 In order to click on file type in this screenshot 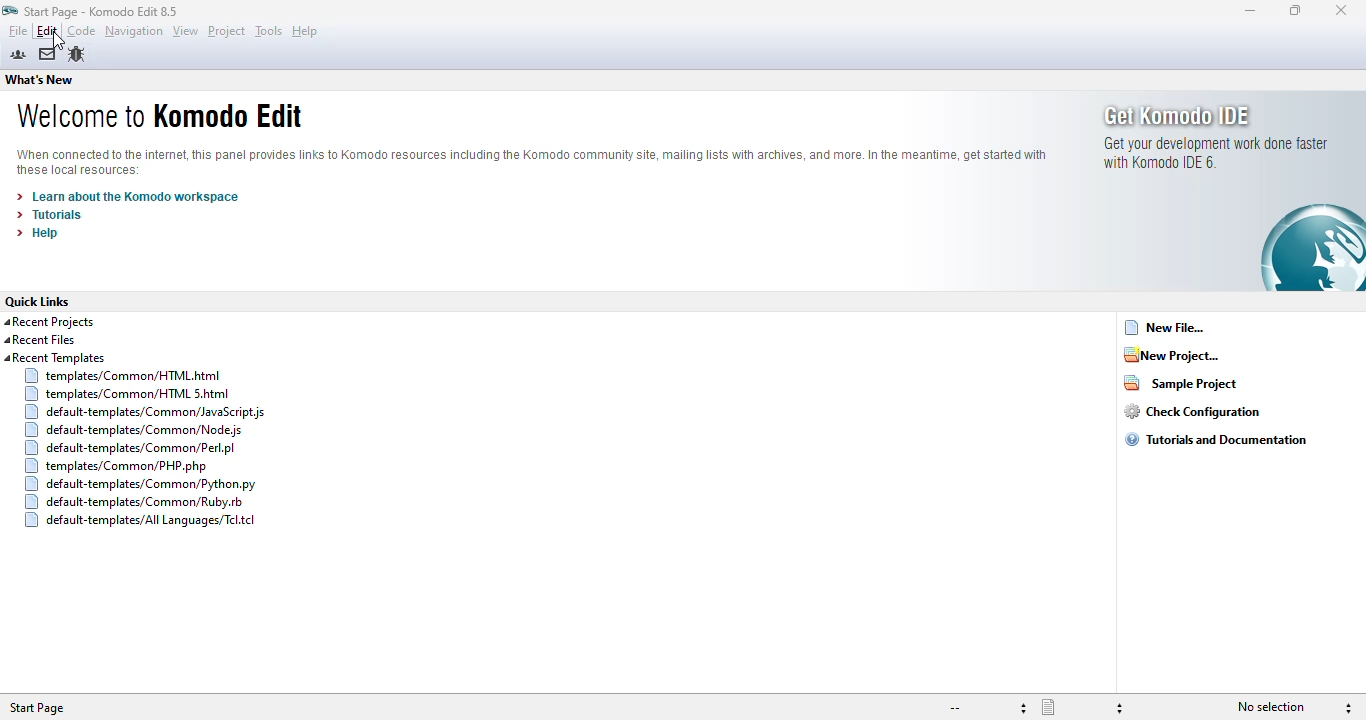, I will do `click(1083, 708)`.